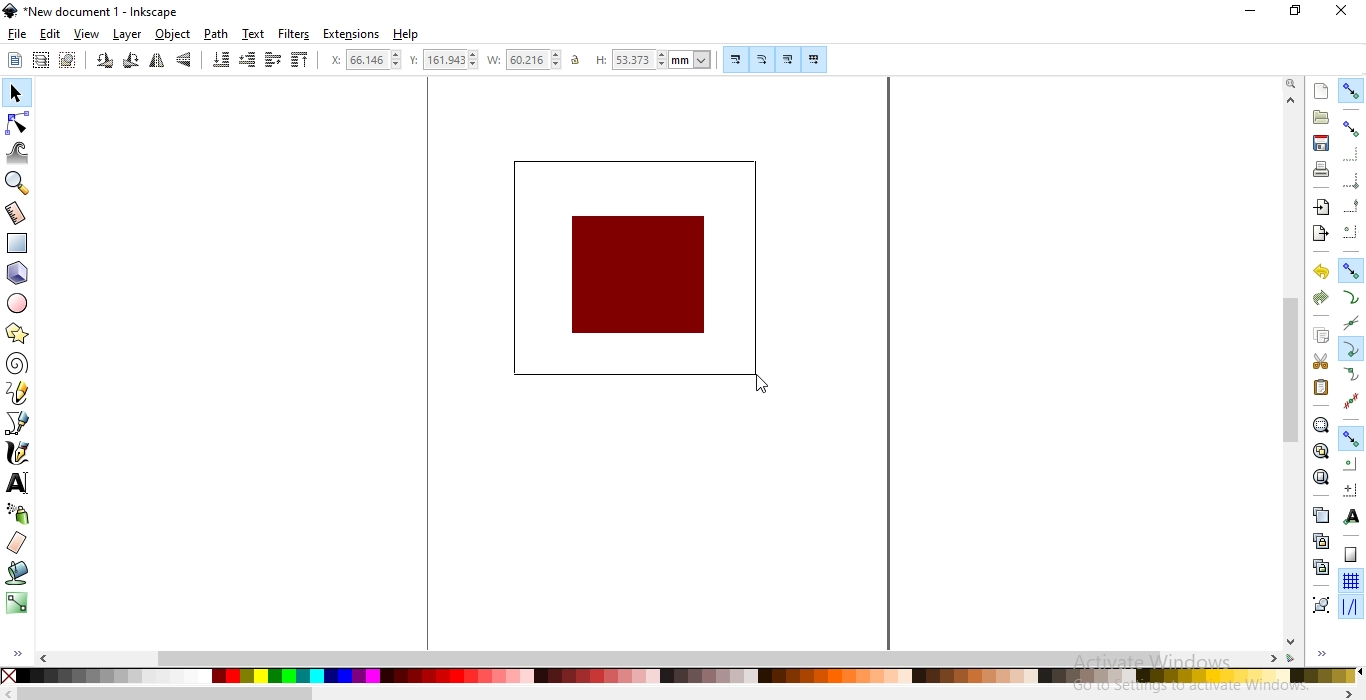 This screenshot has height=700, width=1366. I want to click on close, so click(1340, 12).